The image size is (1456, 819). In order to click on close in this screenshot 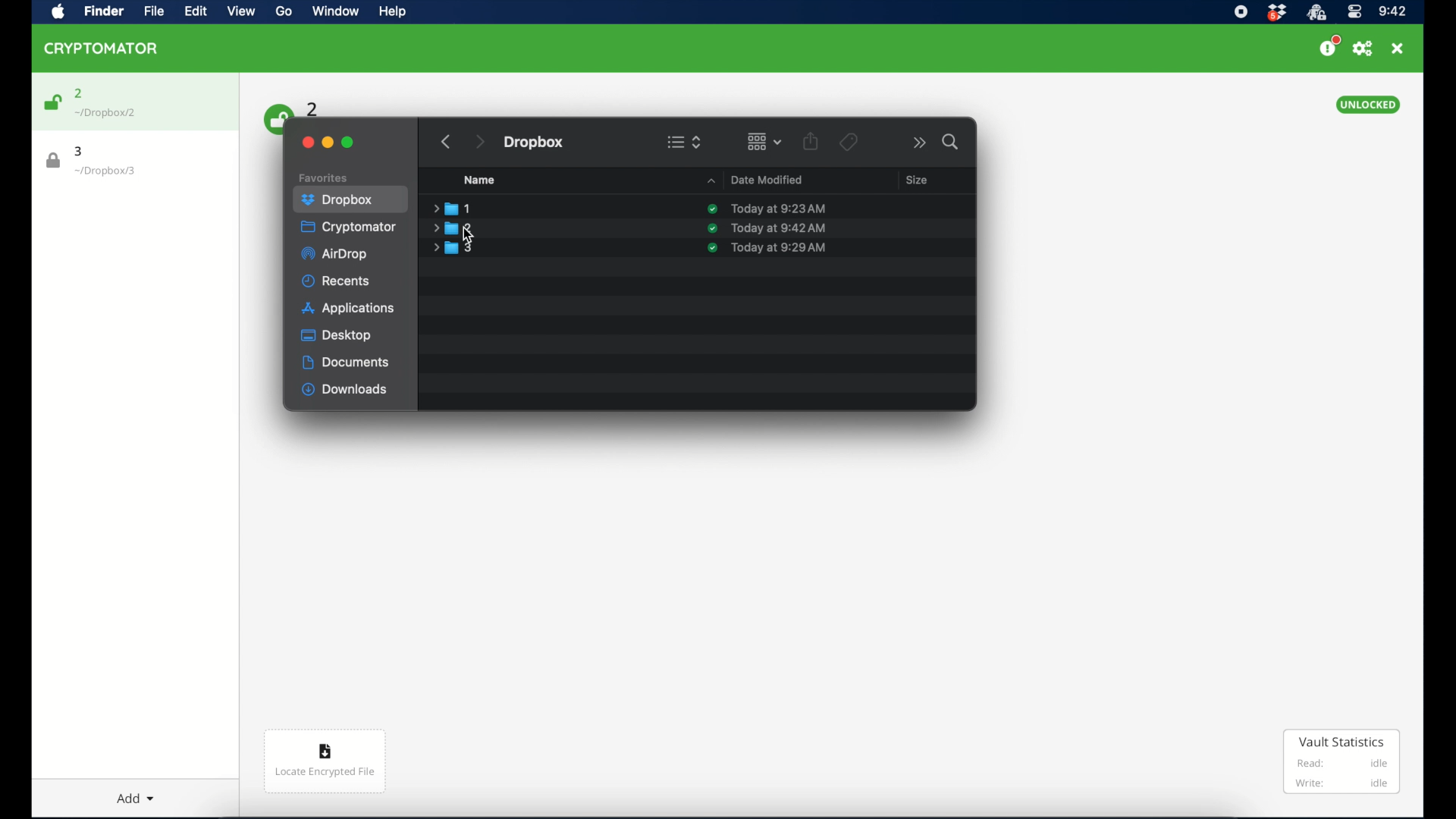, I will do `click(1398, 49)`.